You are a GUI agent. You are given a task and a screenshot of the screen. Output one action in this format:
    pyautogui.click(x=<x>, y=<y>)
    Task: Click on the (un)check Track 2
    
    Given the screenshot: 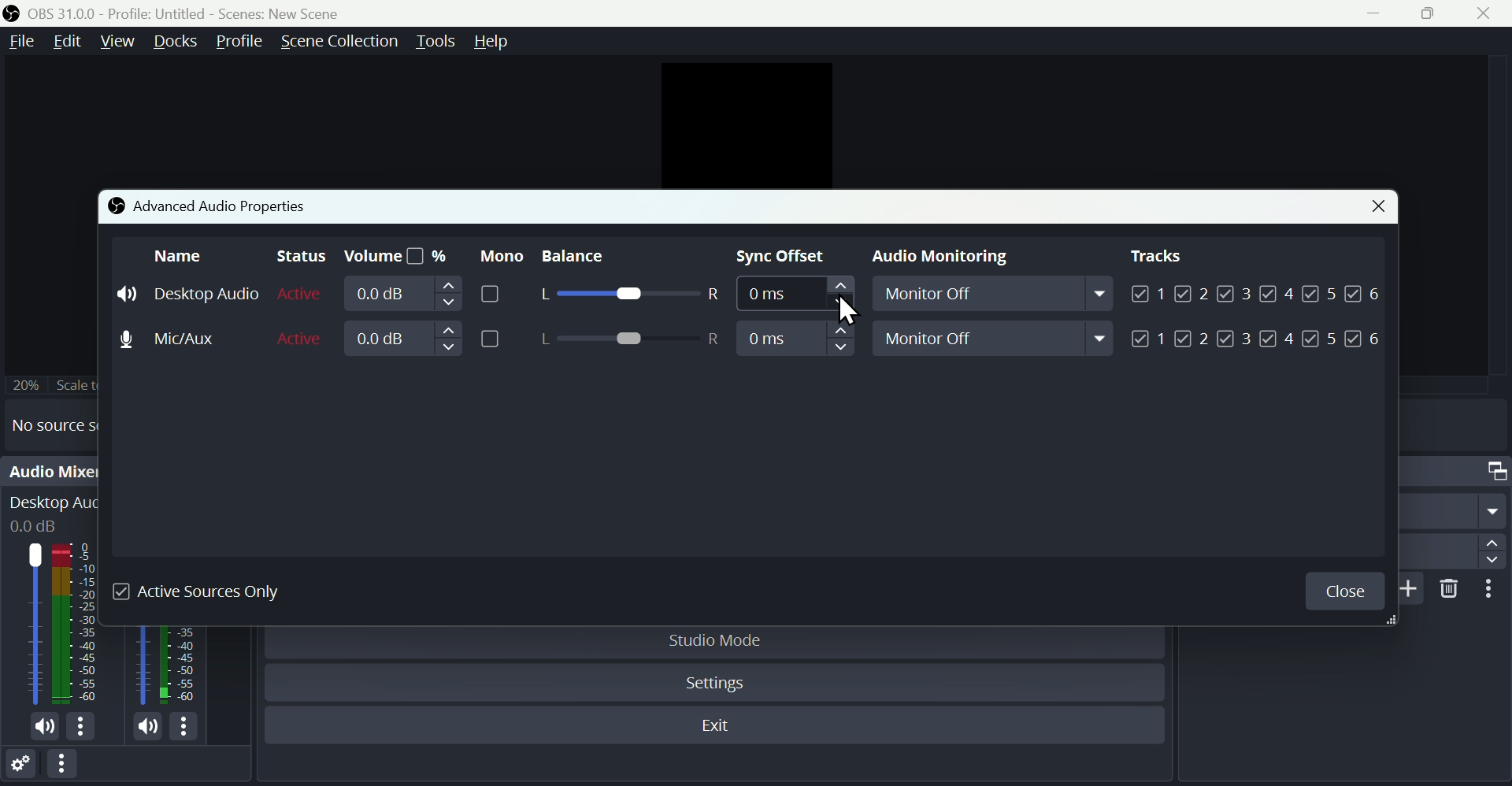 What is the action you would take?
    pyautogui.click(x=1192, y=292)
    